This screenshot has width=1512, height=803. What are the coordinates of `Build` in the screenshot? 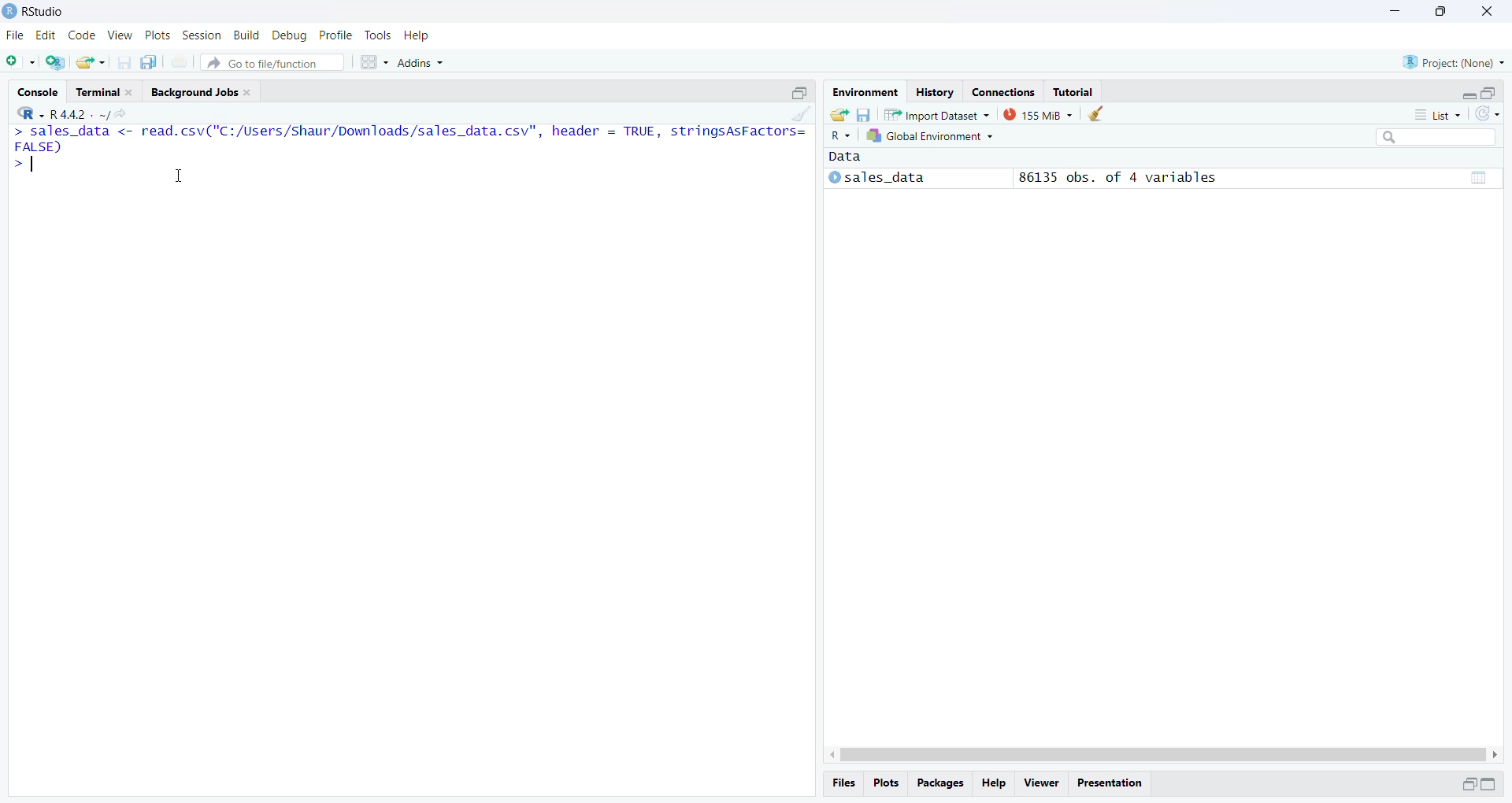 It's located at (247, 35).